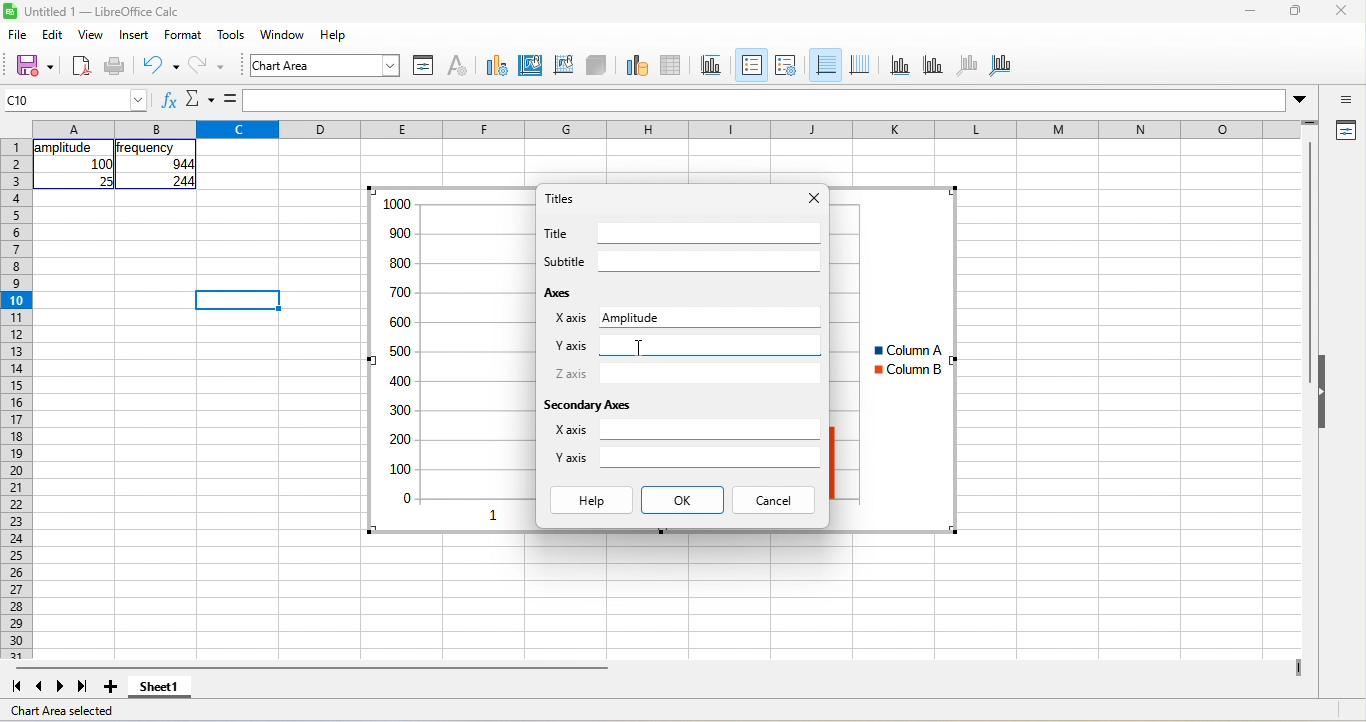  I want to click on 3d view, so click(596, 66).